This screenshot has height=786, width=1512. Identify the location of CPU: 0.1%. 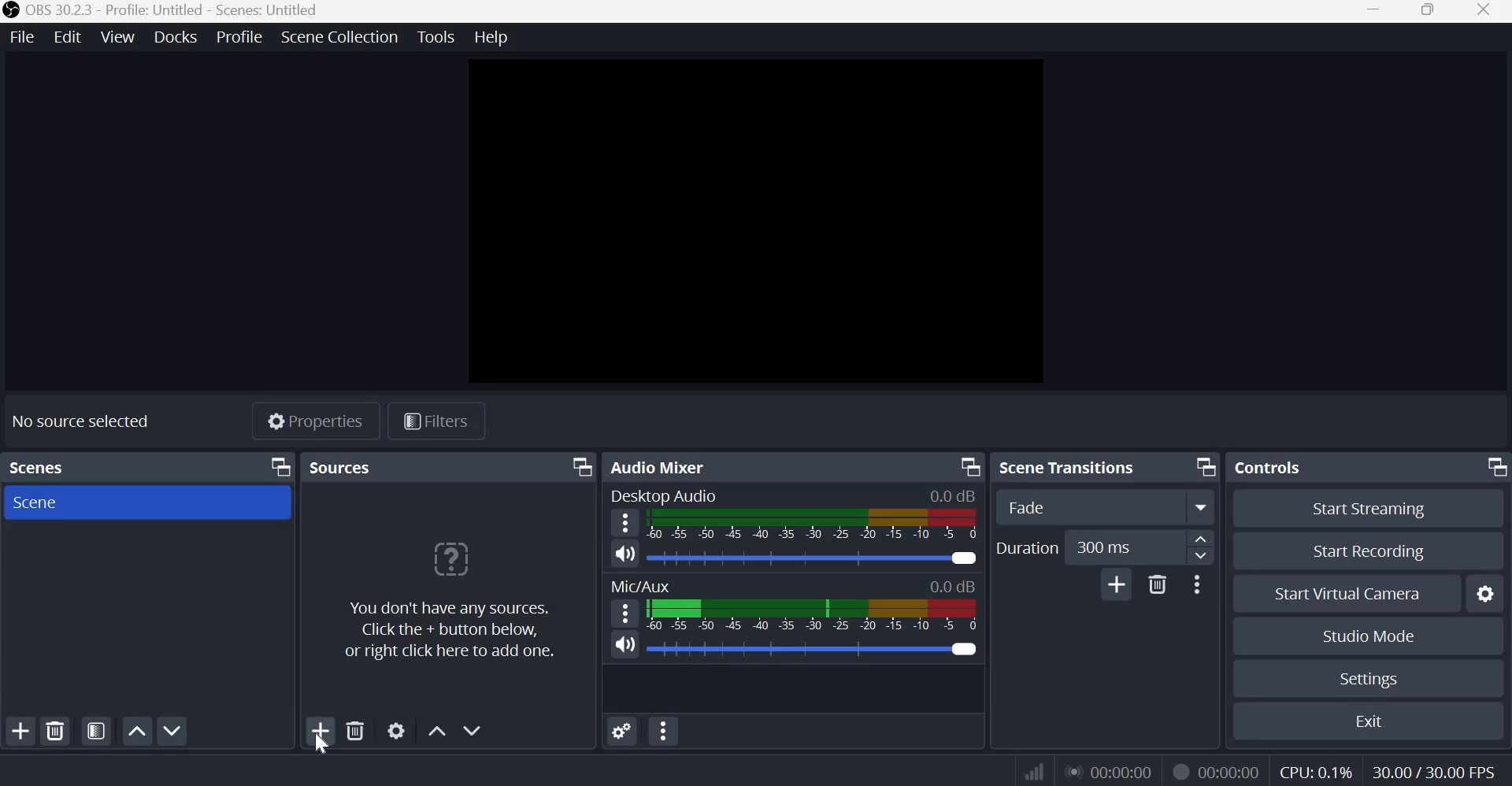
(1317, 769).